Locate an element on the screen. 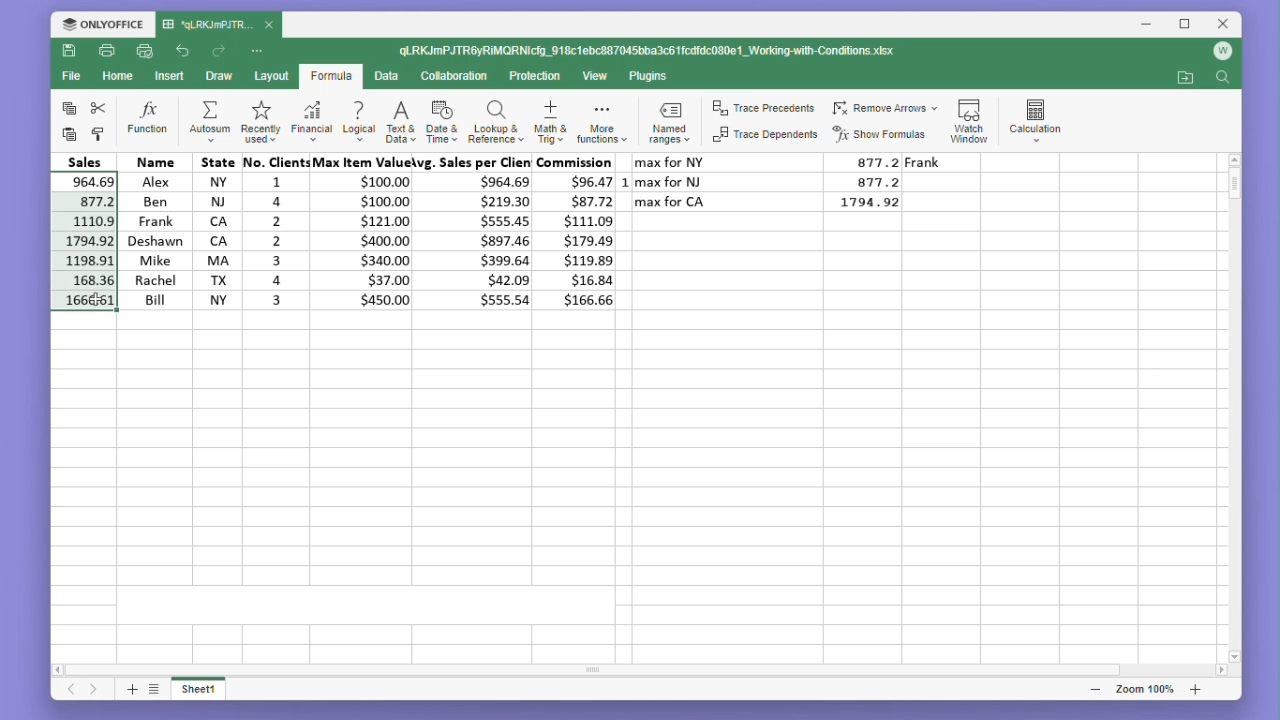 Image resolution: width=1280 pixels, height=720 pixels. Open my location is located at coordinates (1185, 78).